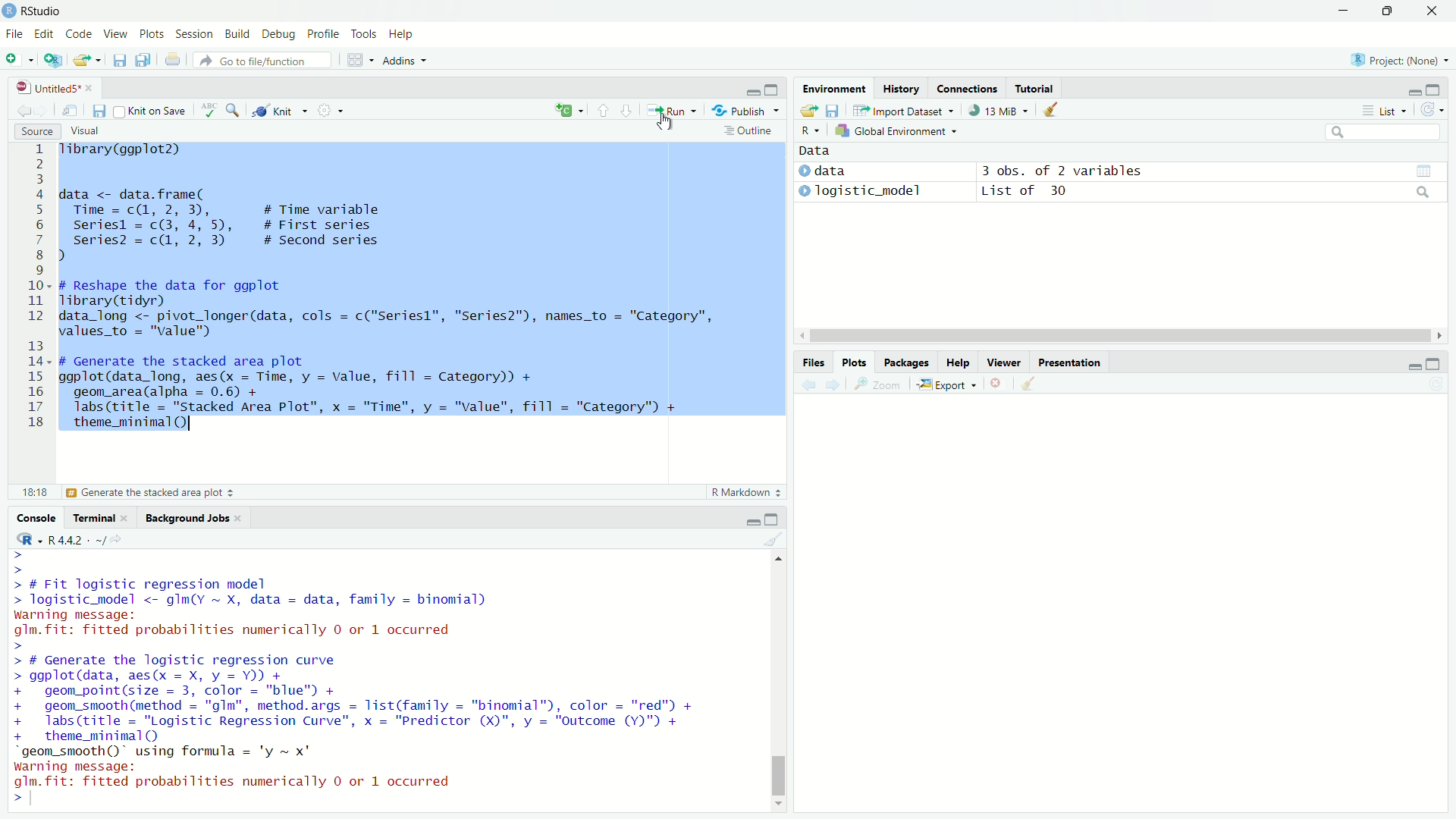  Describe the element at coordinates (93, 130) in the screenshot. I see `Visual` at that location.